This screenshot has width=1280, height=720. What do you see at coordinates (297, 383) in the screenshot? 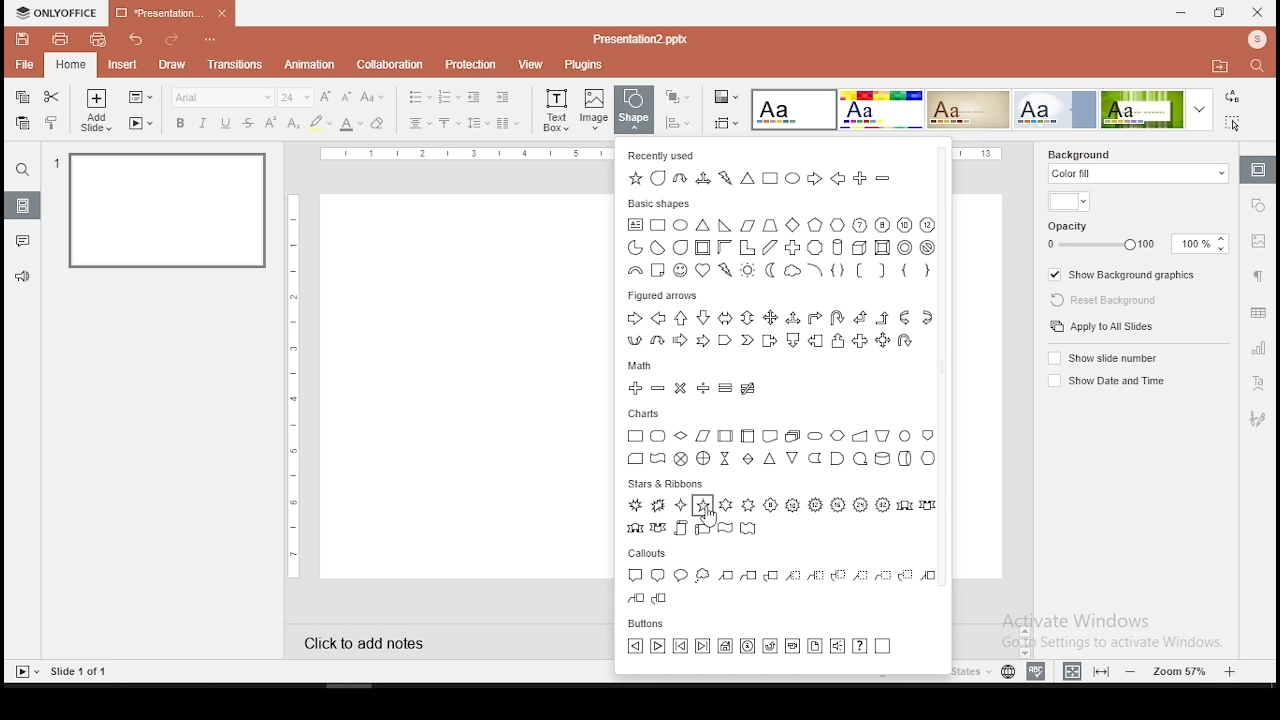
I see `vertical scale` at bounding box center [297, 383].